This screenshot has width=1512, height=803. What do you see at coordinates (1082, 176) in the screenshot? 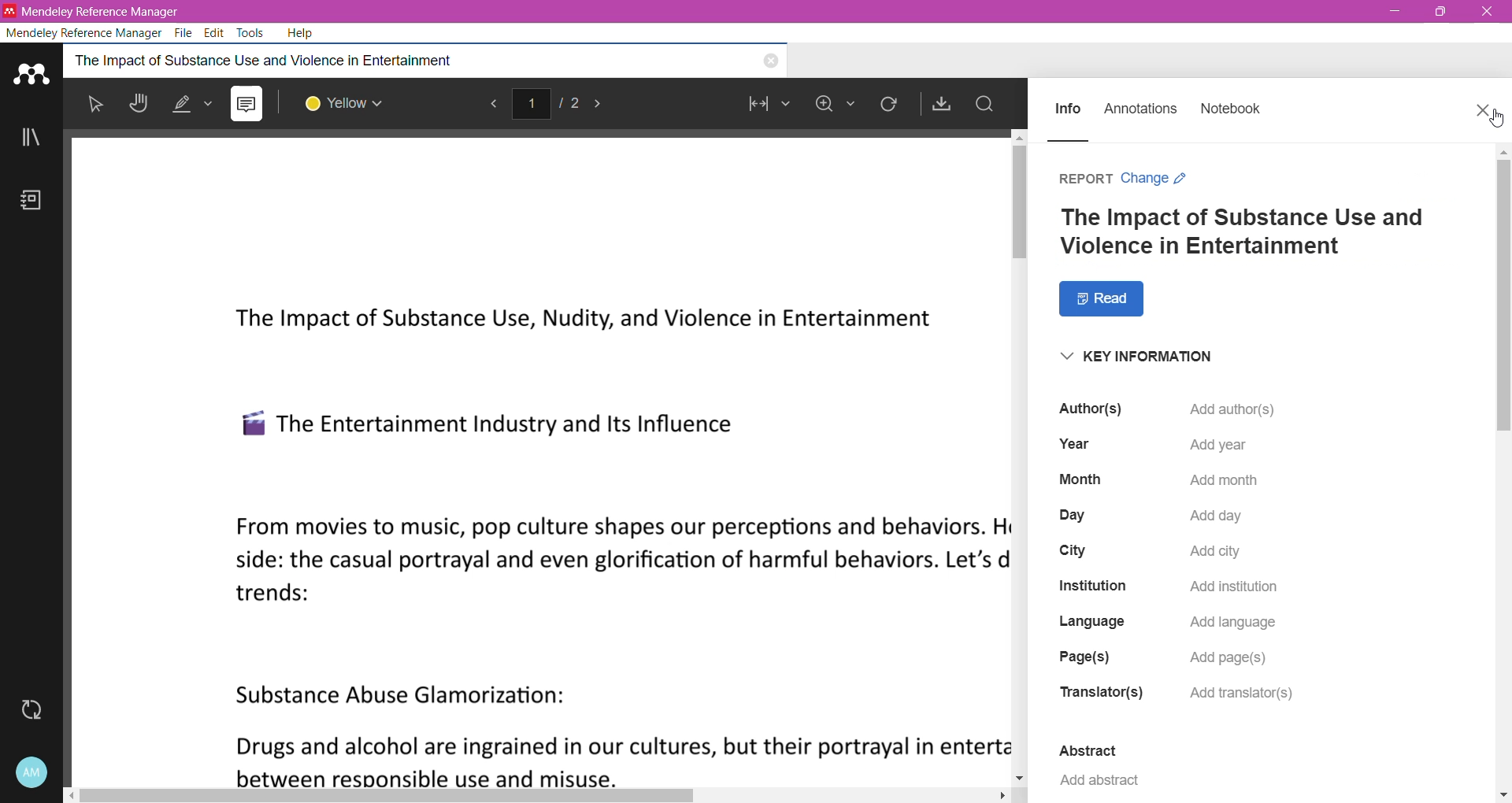
I see `Reference Item Type` at bounding box center [1082, 176].